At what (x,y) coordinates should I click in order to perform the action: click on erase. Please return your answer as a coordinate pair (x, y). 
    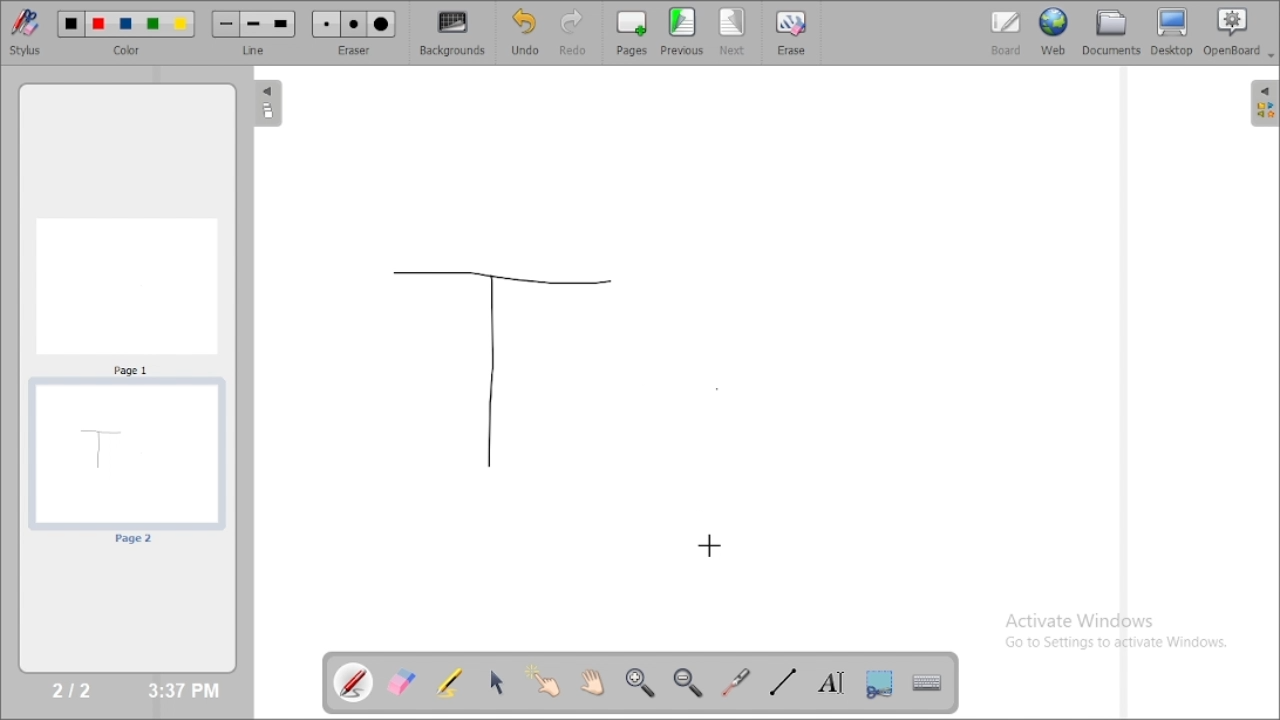
    Looking at the image, I should click on (790, 32).